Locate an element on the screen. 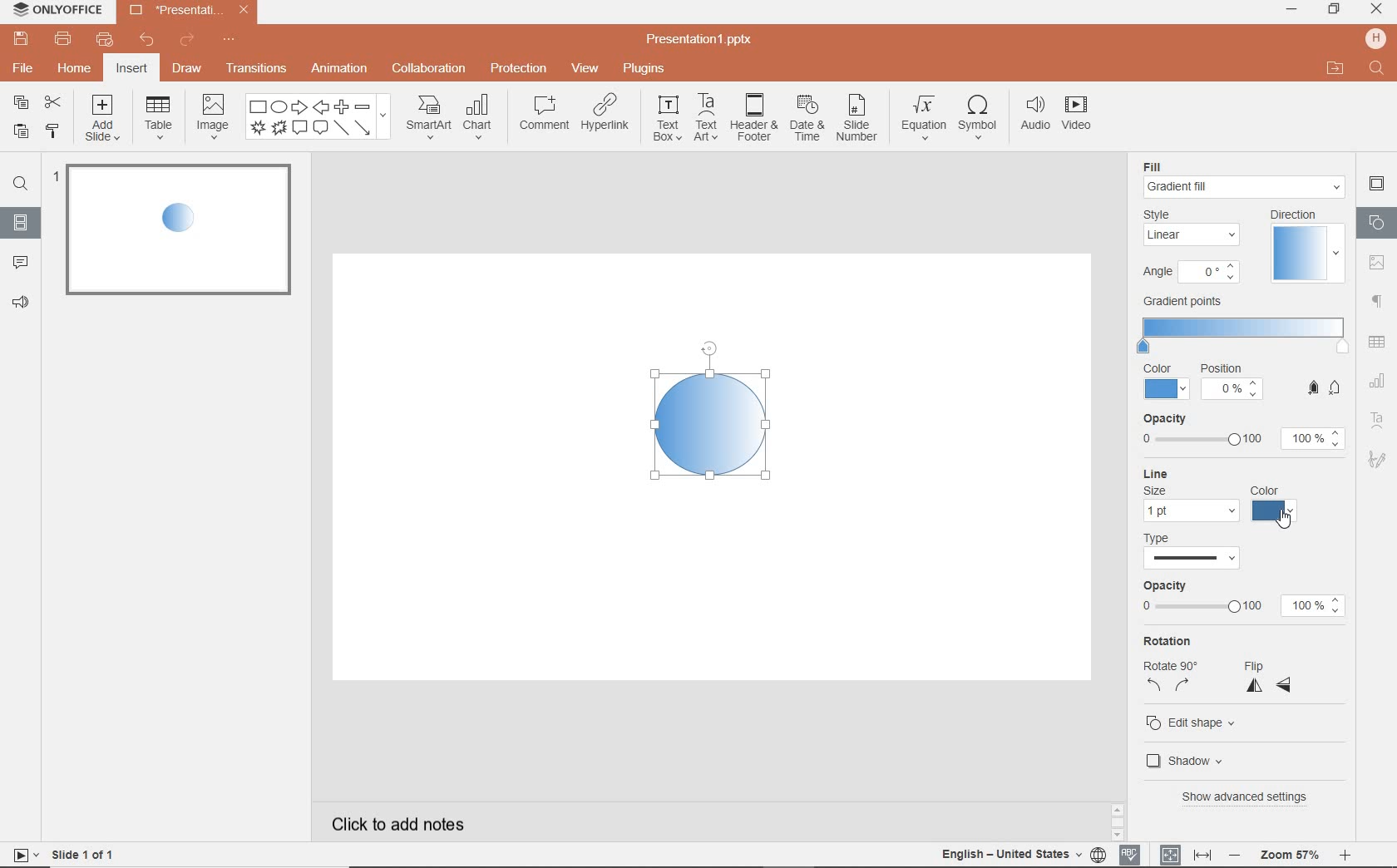  text art is located at coordinates (708, 118).